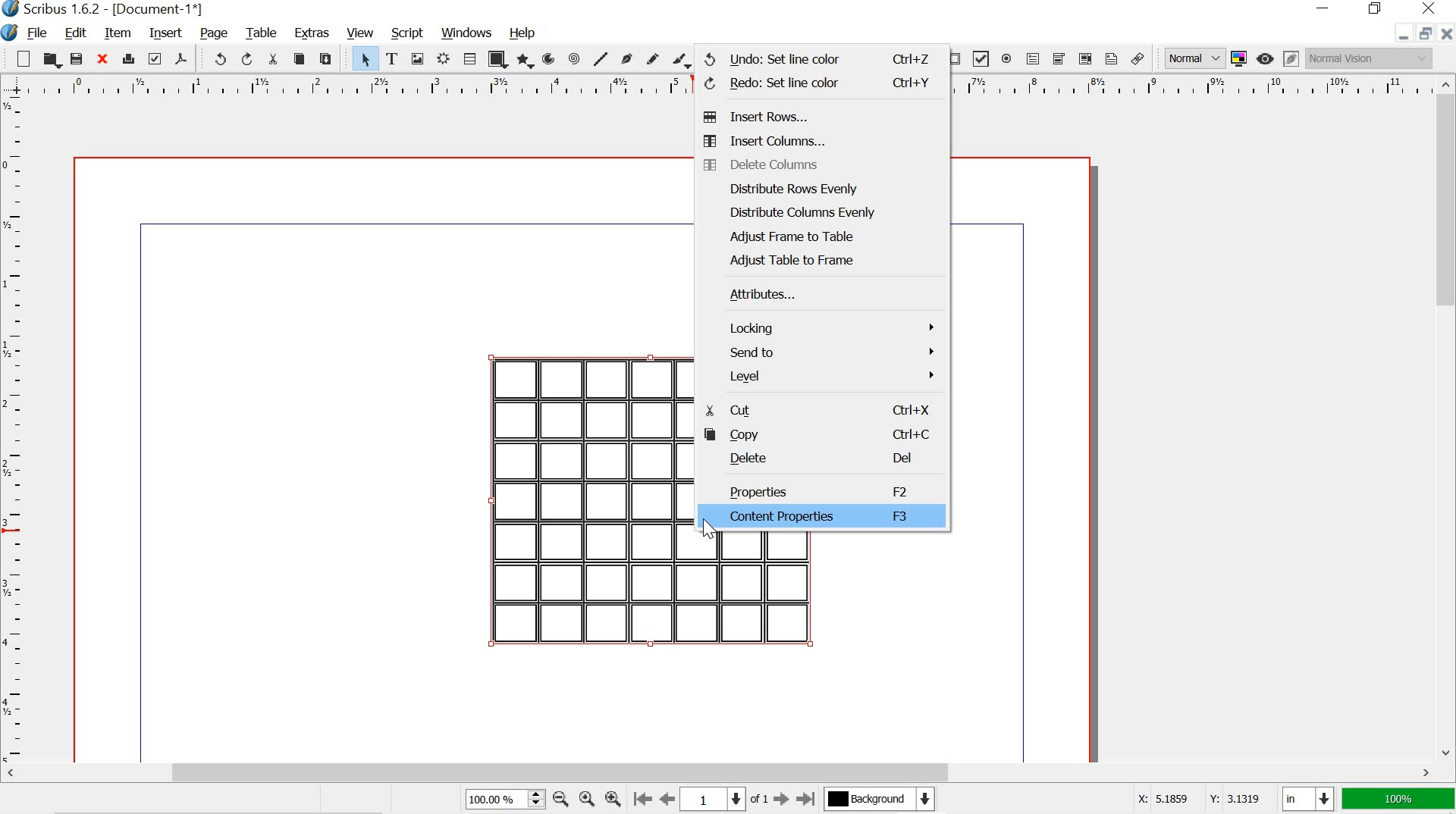  I want to click on go to the first page, so click(645, 800).